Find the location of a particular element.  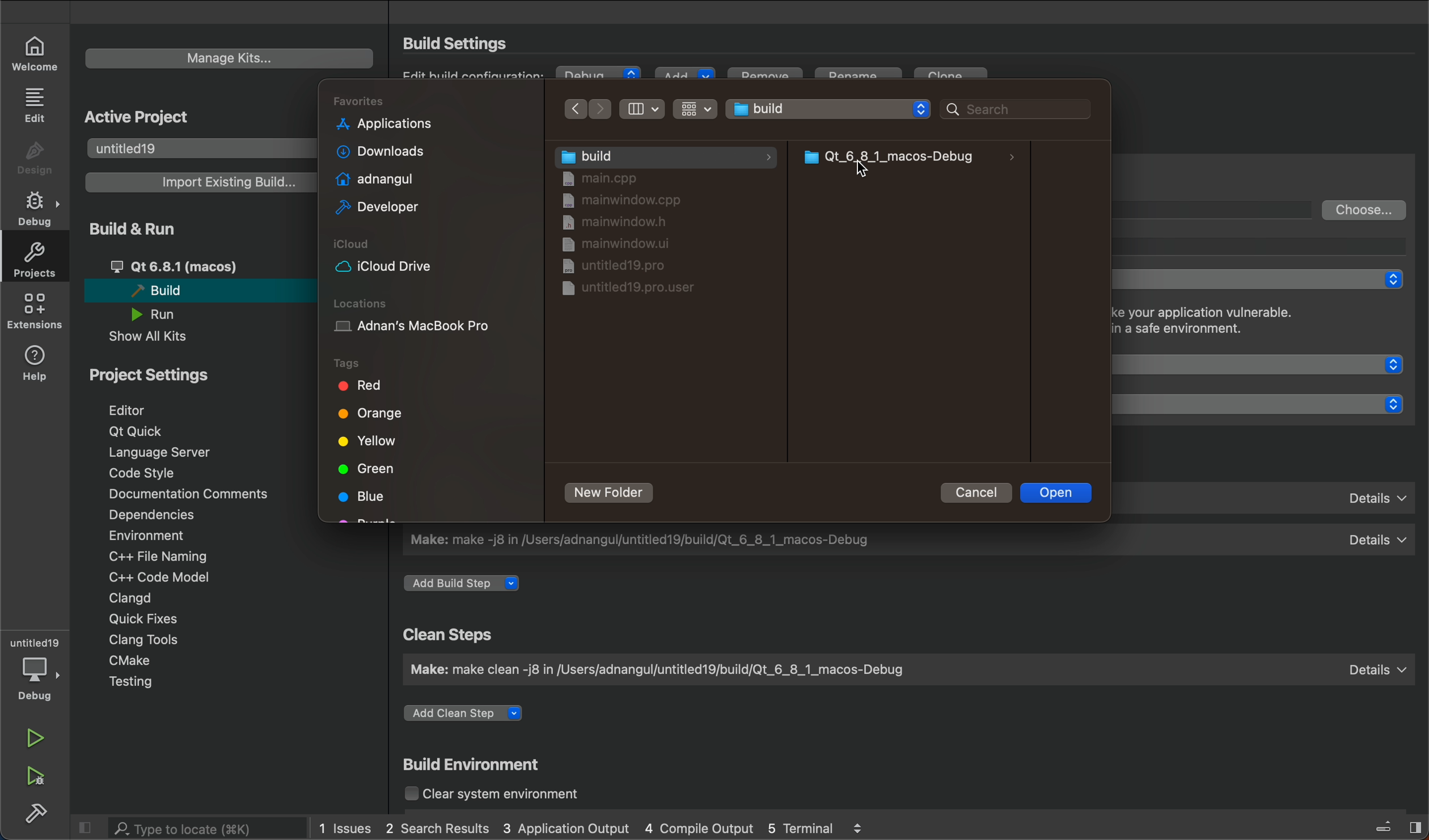

Dependencies  is located at coordinates (164, 516).